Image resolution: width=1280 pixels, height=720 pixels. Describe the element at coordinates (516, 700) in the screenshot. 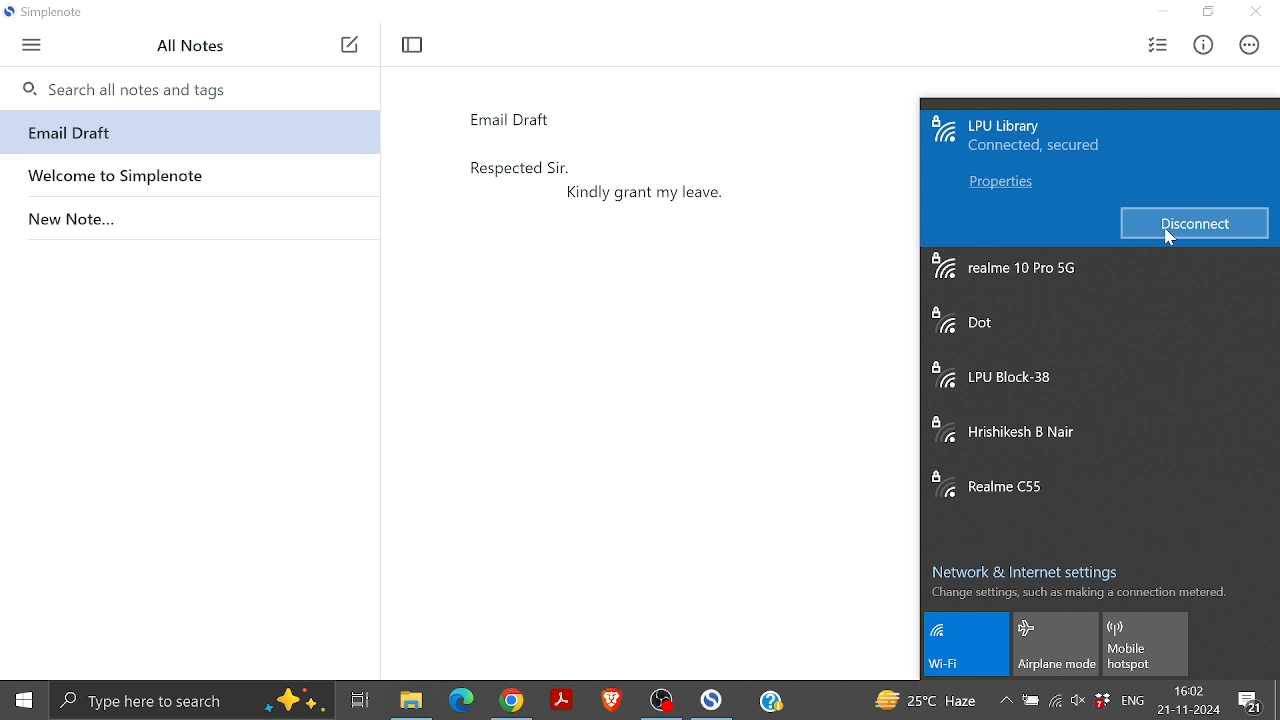

I see `Chrome` at that location.